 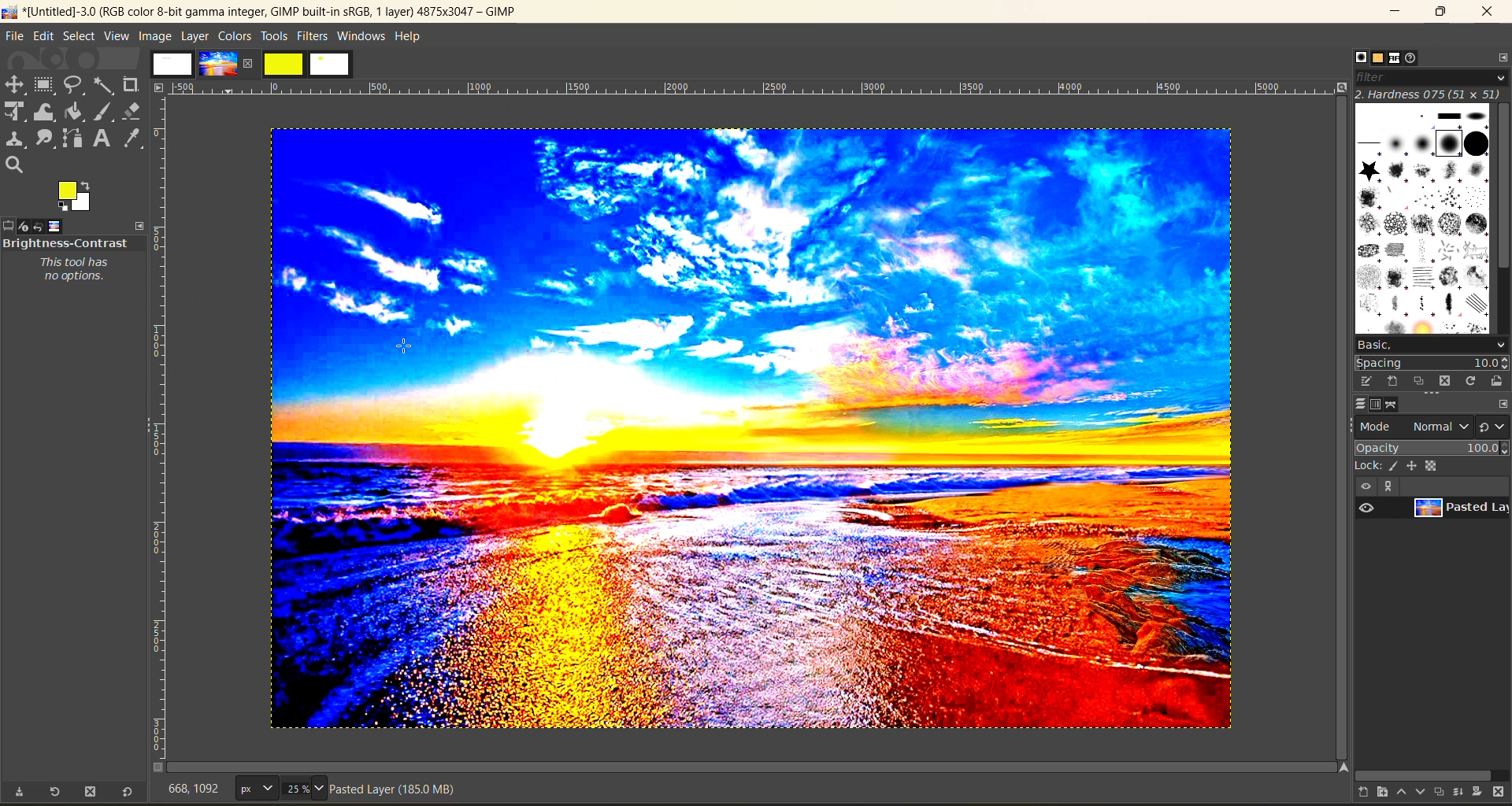 What do you see at coordinates (13, 38) in the screenshot?
I see `file` at bounding box center [13, 38].